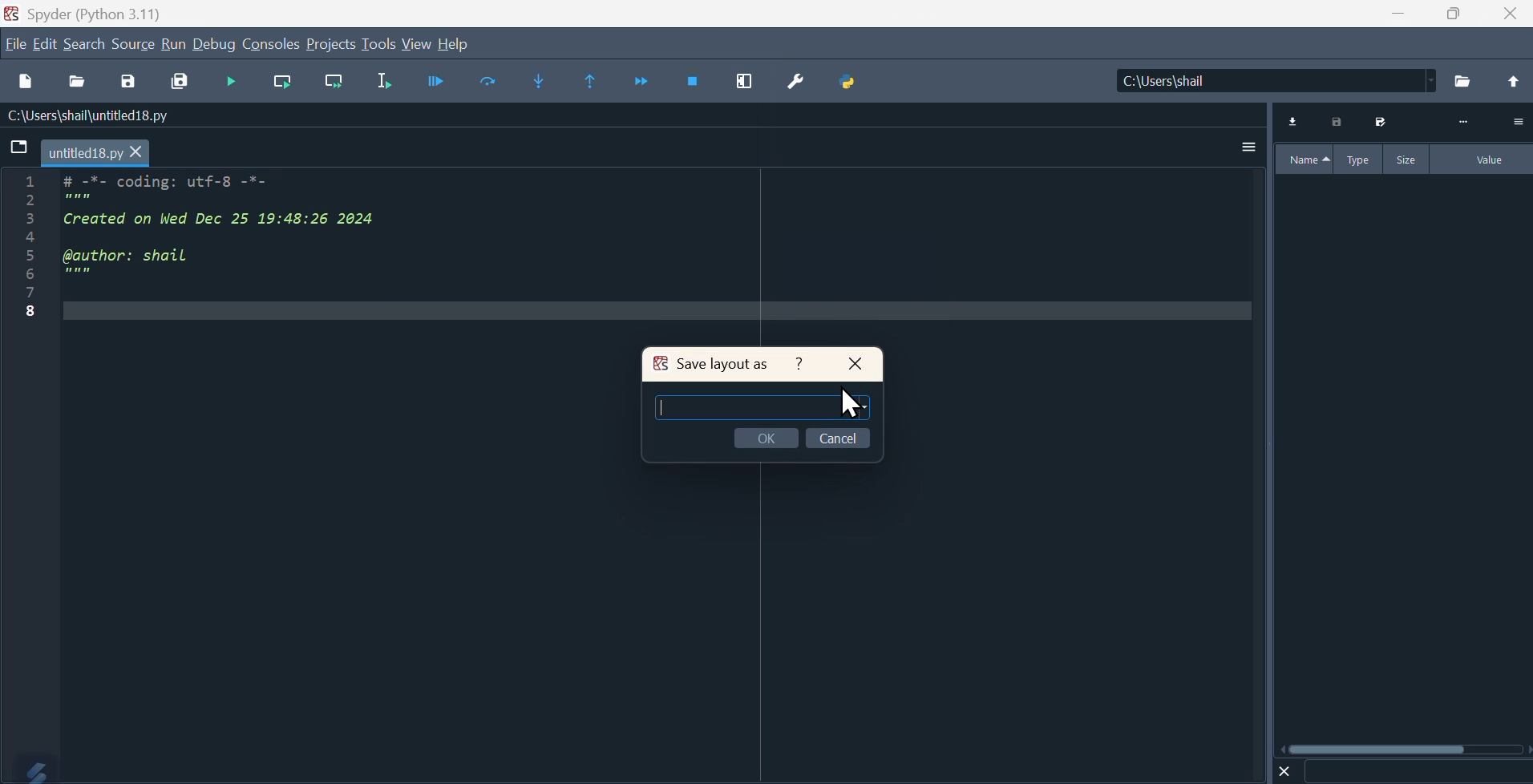 This screenshot has width=1533, height=784. What do you see at coordinates (1454, 14) in the screenshot?
I see `Maximize` at bounding box center [1454, 14].